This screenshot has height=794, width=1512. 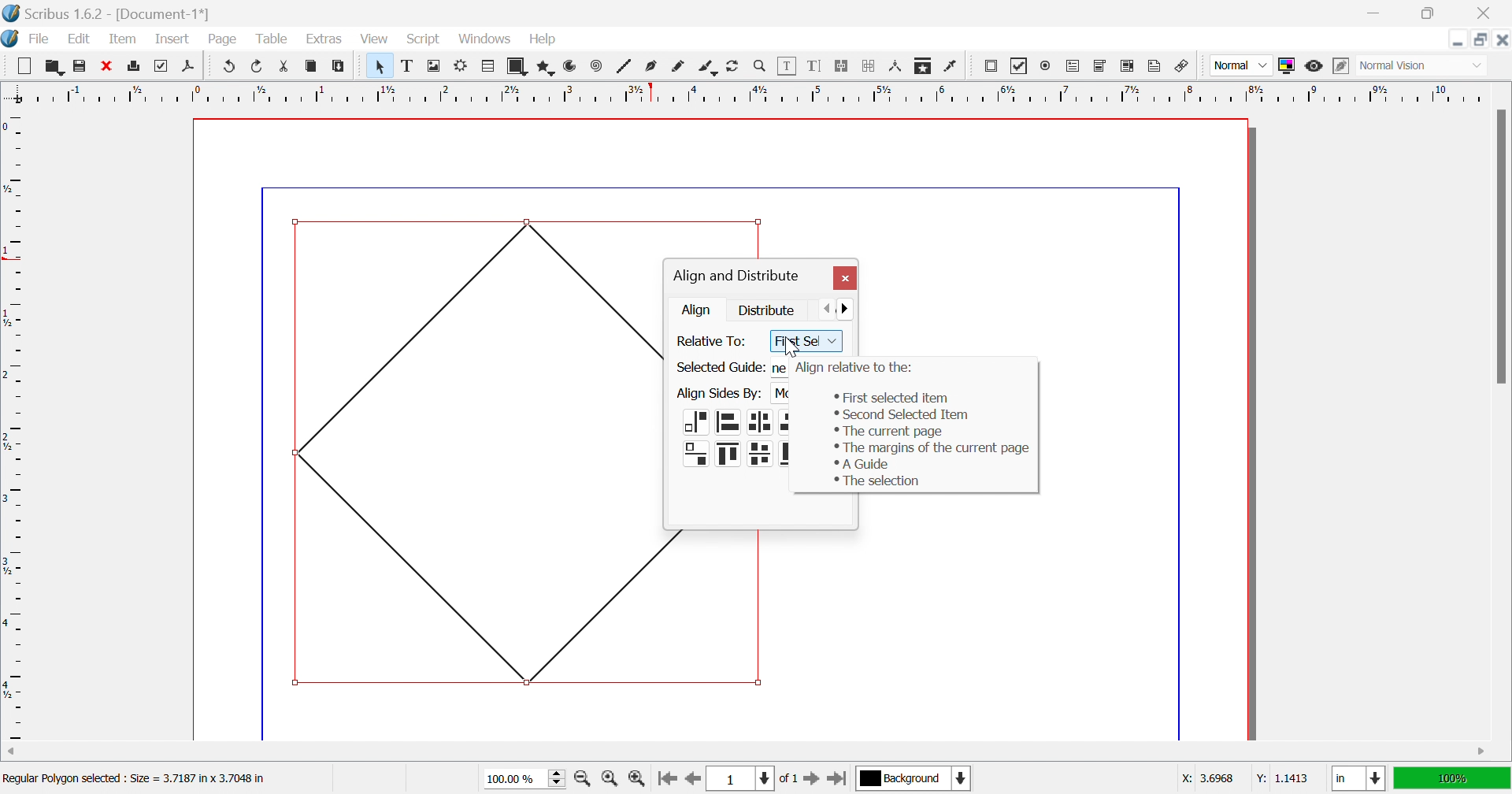 What do you see at coordinates (1101, 66) in the screenshot?
I see `PDF combo box` at bounding box center [1101, 66].